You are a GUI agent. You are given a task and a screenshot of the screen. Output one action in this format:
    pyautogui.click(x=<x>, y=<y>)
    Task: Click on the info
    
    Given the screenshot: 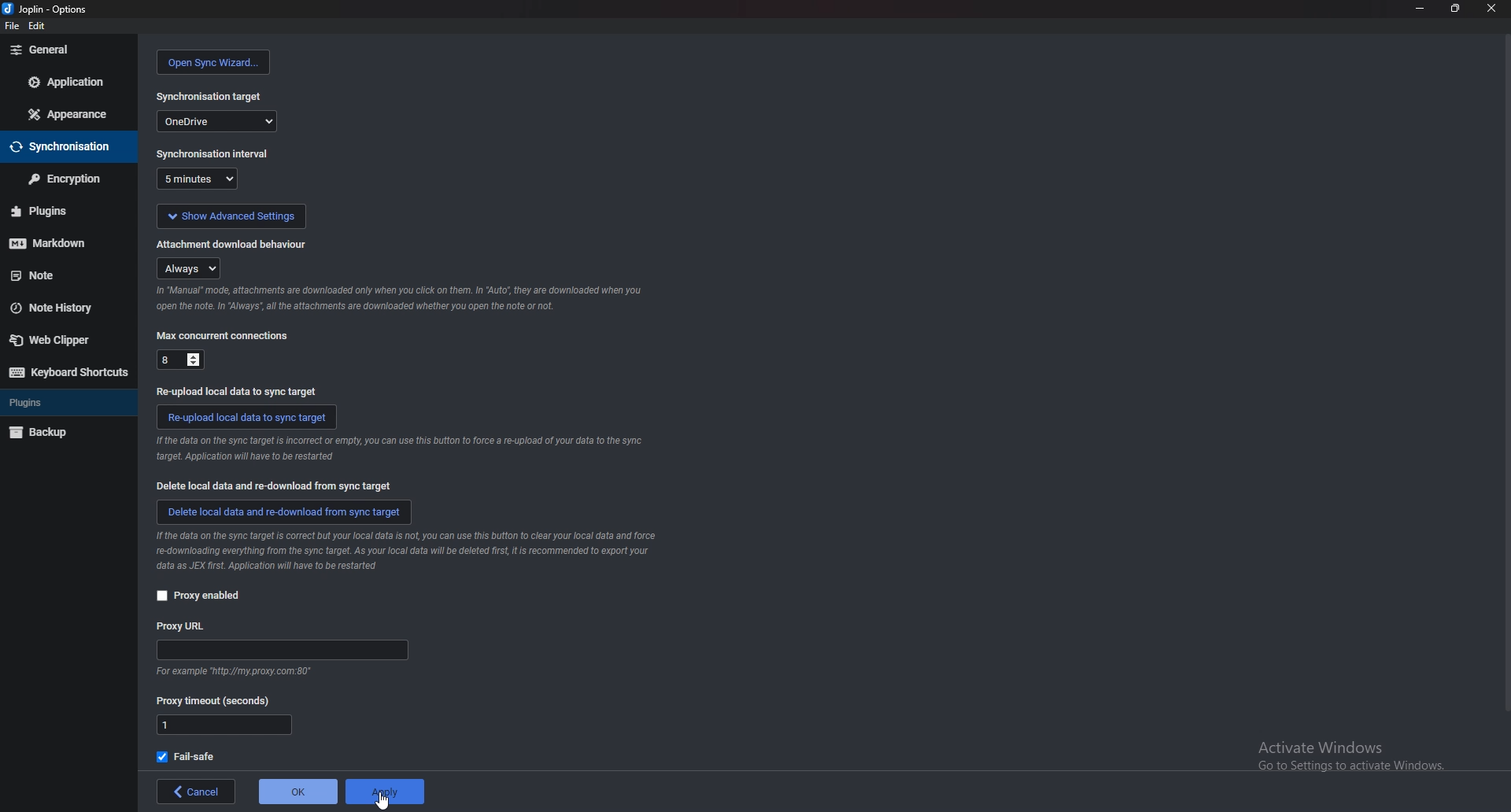 What is the action you would take?
    pyautogui.click(x=399, y=449)
    